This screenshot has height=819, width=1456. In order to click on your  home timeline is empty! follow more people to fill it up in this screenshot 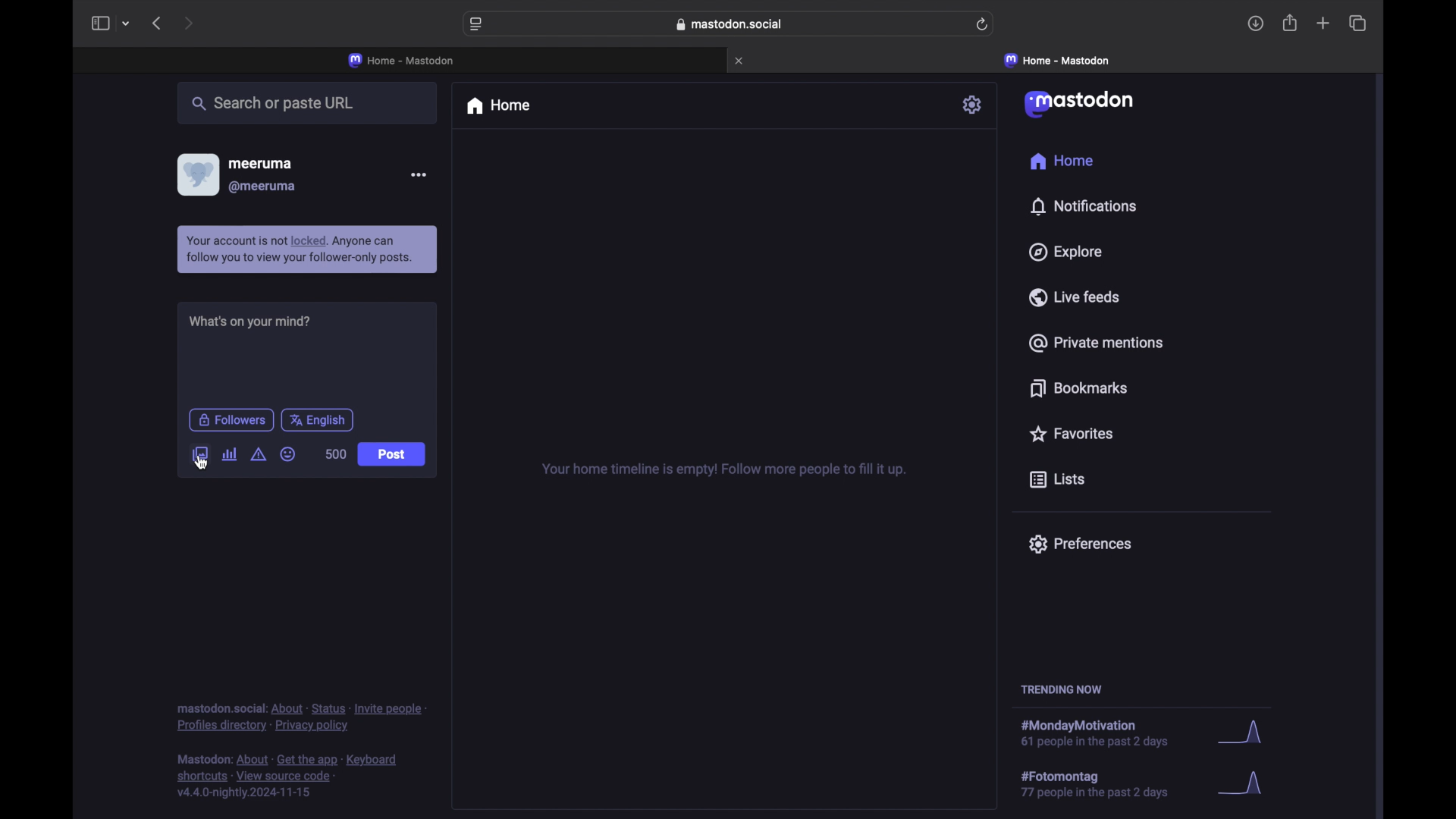, I will do `click(723, 469)`.